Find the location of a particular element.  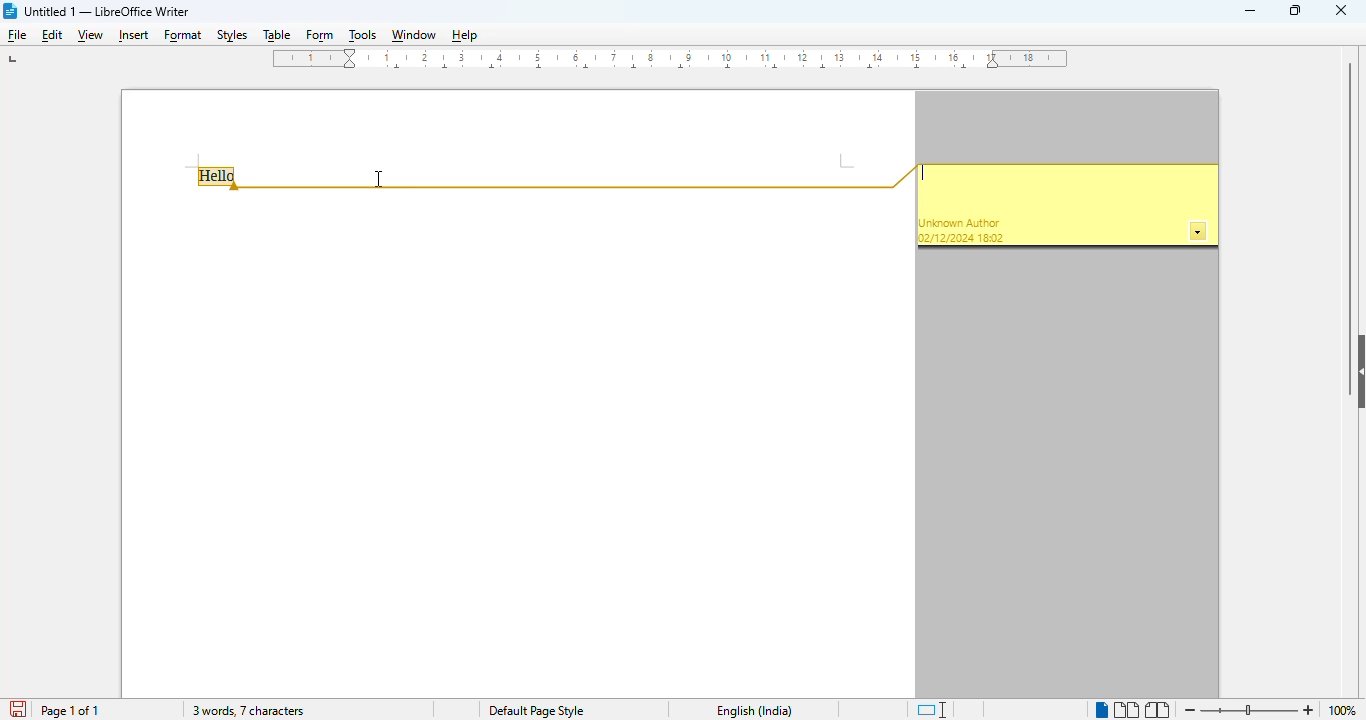

02/12/2024 is located at coordinates (946, 238).